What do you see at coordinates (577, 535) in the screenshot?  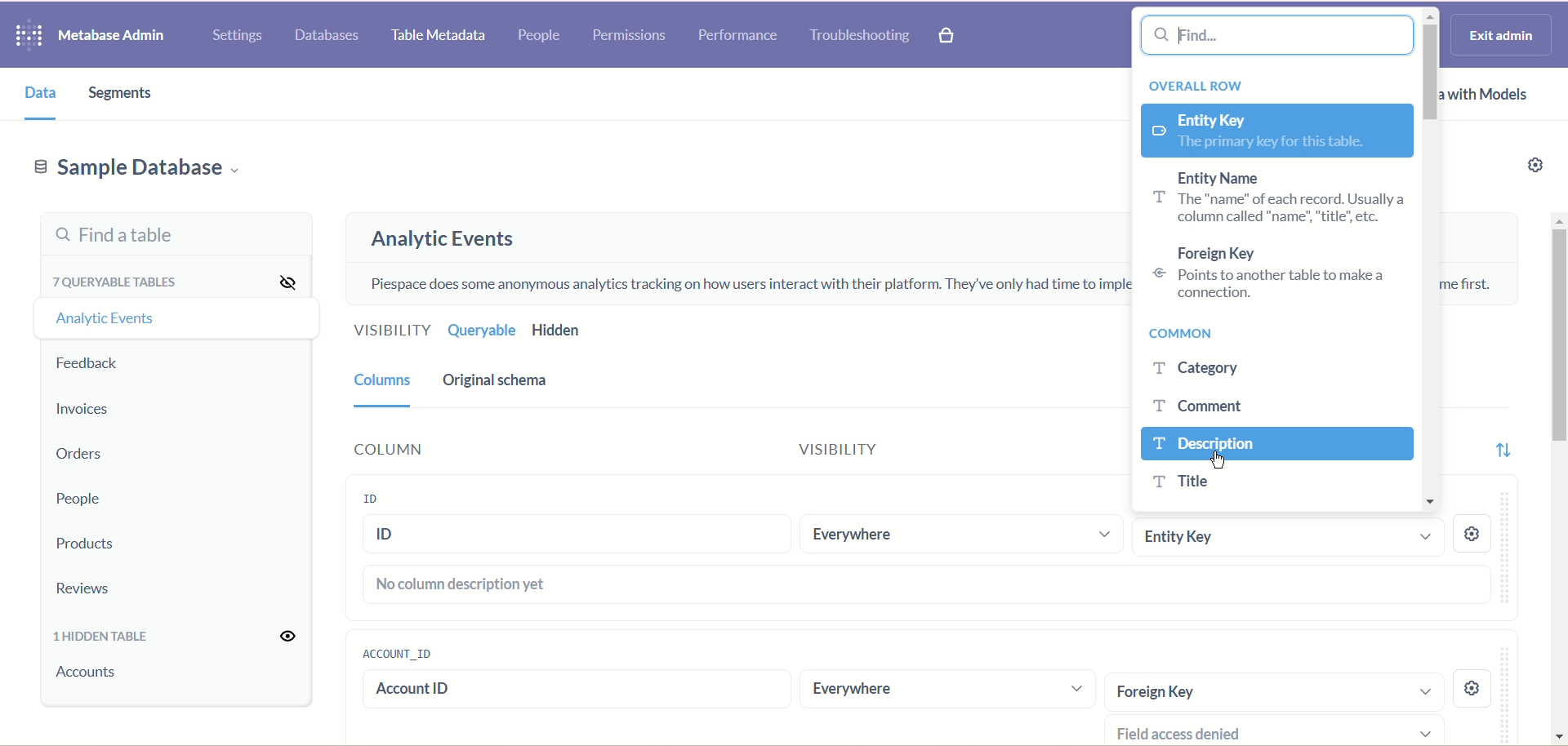 I see `ID` at bounding box center [577, 535].